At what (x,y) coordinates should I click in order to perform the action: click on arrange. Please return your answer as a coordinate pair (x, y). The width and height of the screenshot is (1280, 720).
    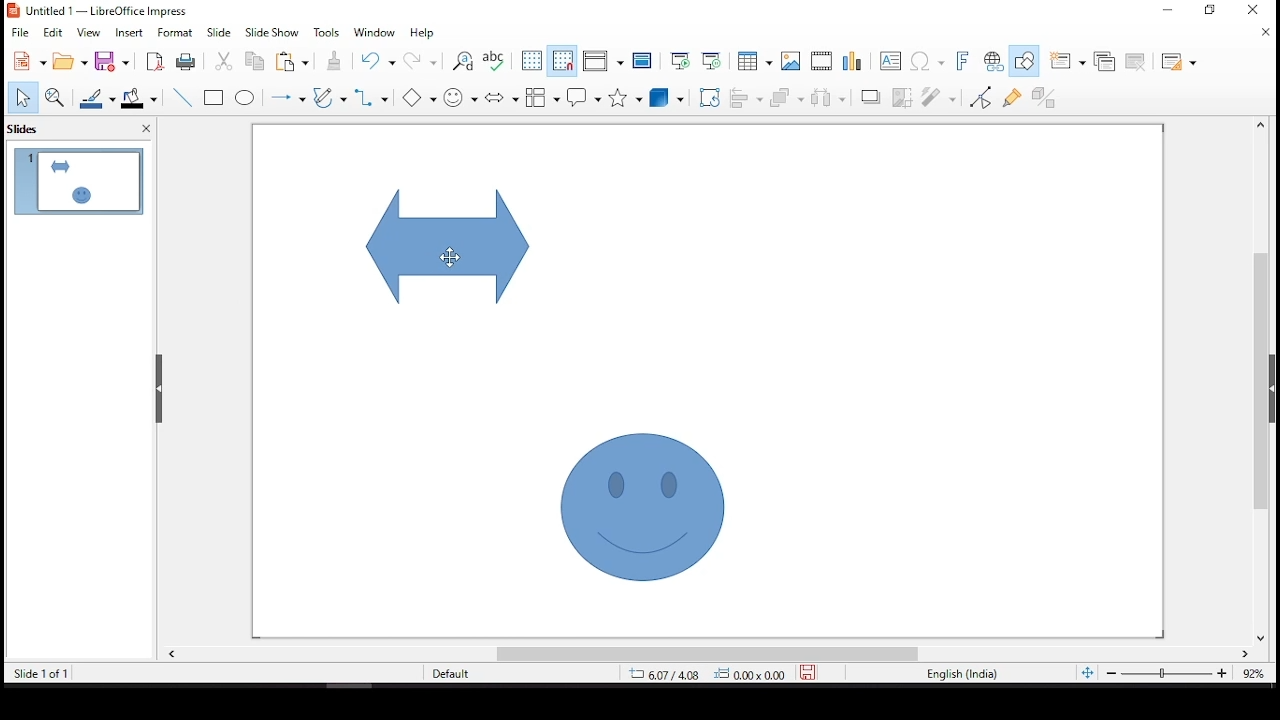
    Looking at the image, I should click on (785, 97).